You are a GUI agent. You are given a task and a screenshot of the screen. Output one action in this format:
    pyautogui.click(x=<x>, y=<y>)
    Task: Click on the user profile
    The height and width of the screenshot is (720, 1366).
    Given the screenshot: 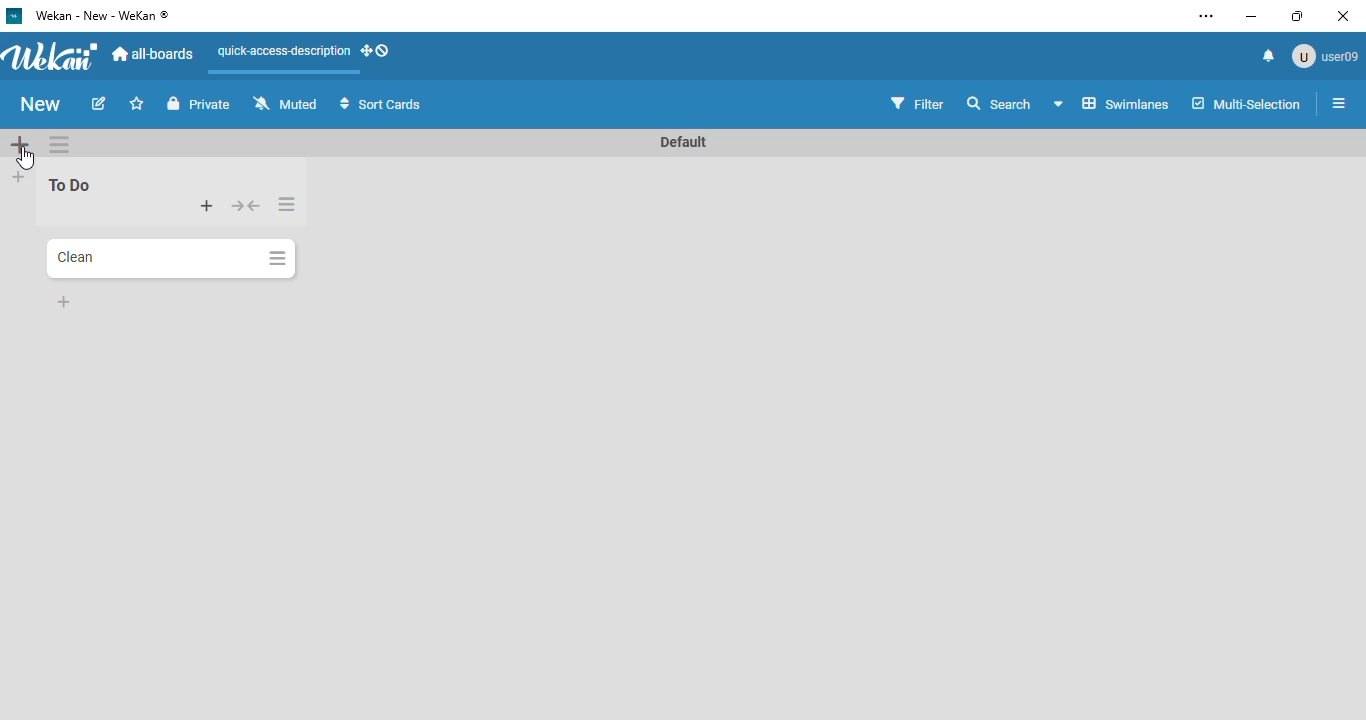 What is the action you would take?
    pyautogui.click(x=1324, y=56)
    